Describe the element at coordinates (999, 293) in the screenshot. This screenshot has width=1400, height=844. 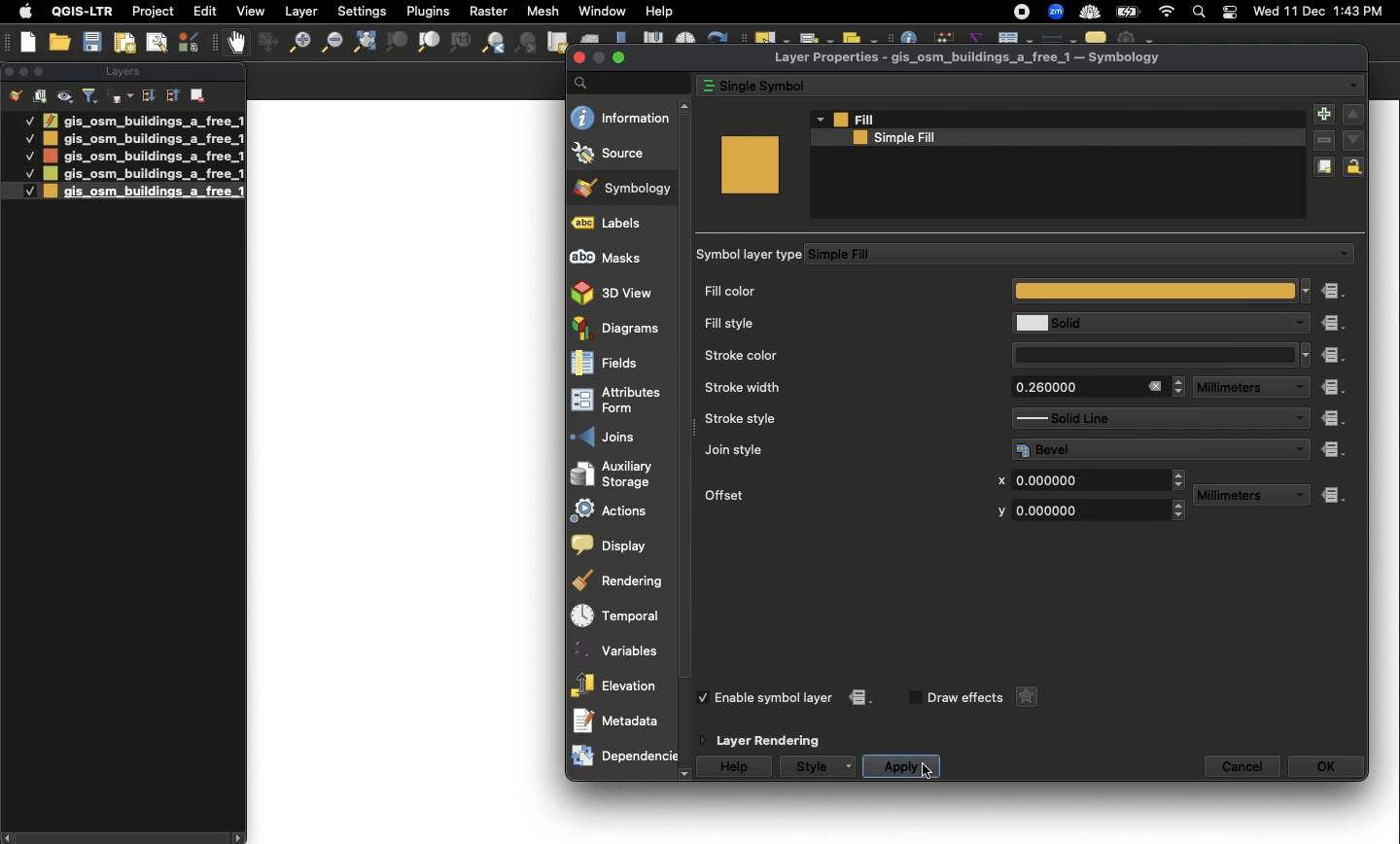
I see `Fill color` at that location.